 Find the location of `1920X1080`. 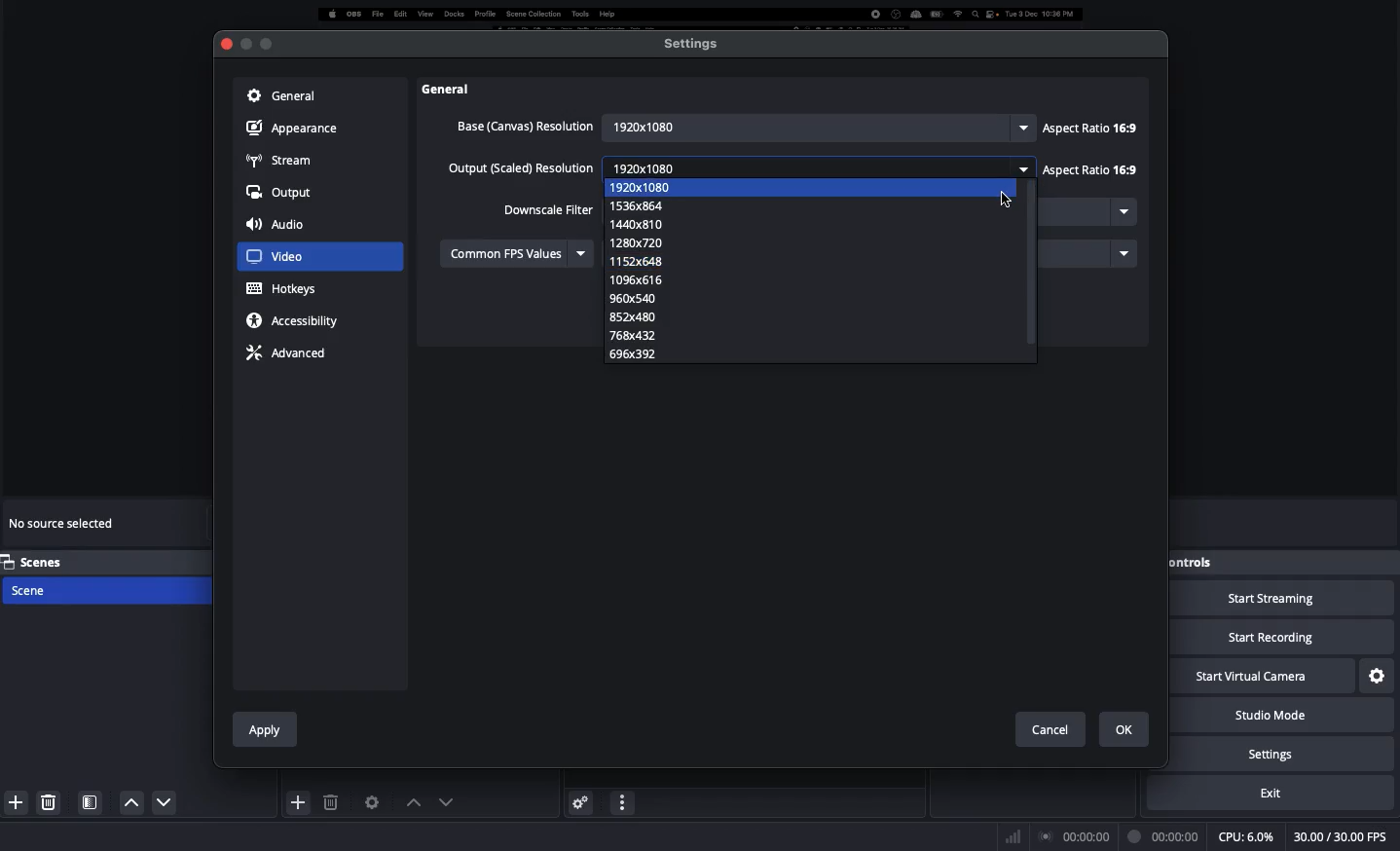

1920X1080 is located at coordinates (659, 189).